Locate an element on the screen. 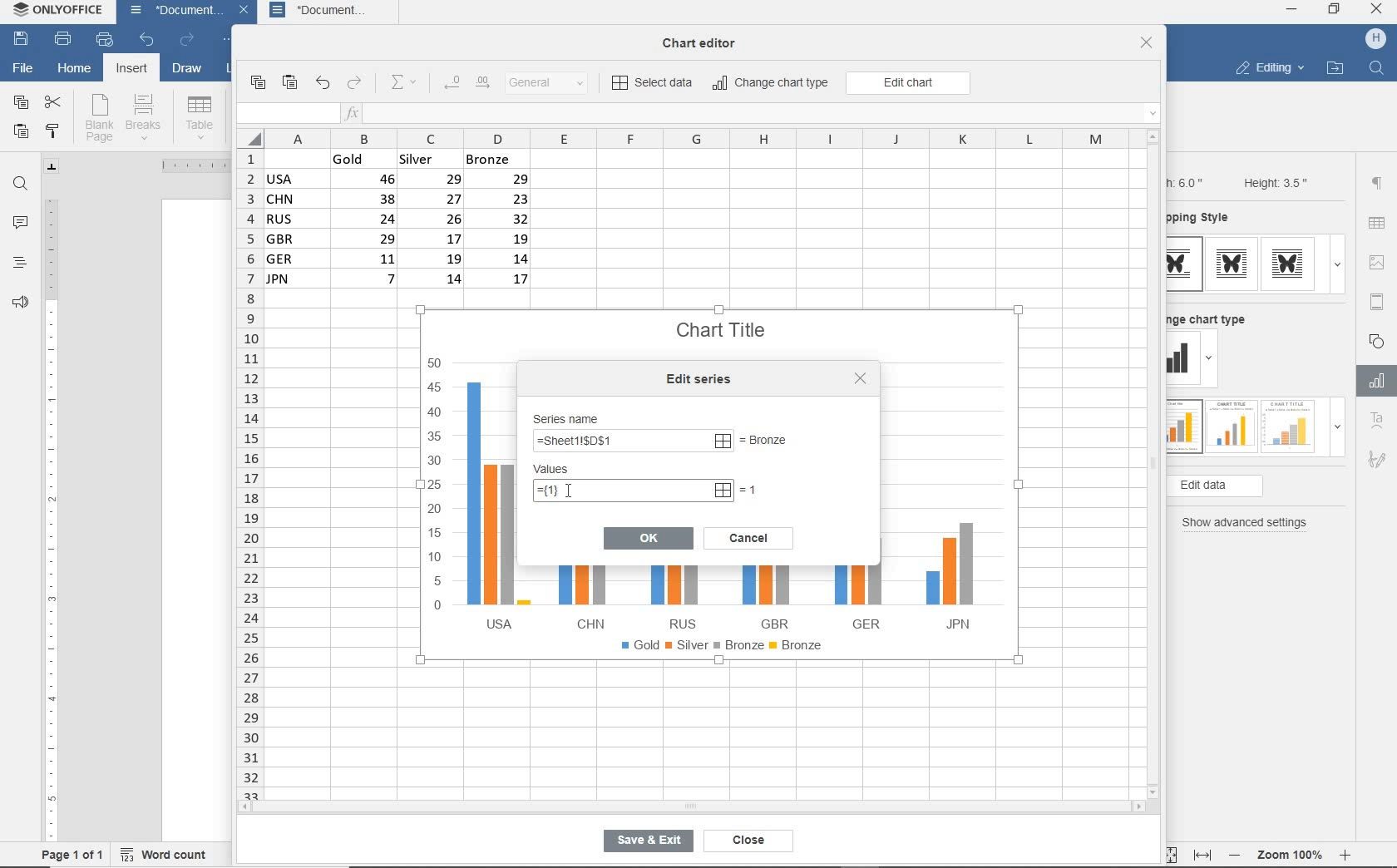  document name is located at coordinates (171, 12).